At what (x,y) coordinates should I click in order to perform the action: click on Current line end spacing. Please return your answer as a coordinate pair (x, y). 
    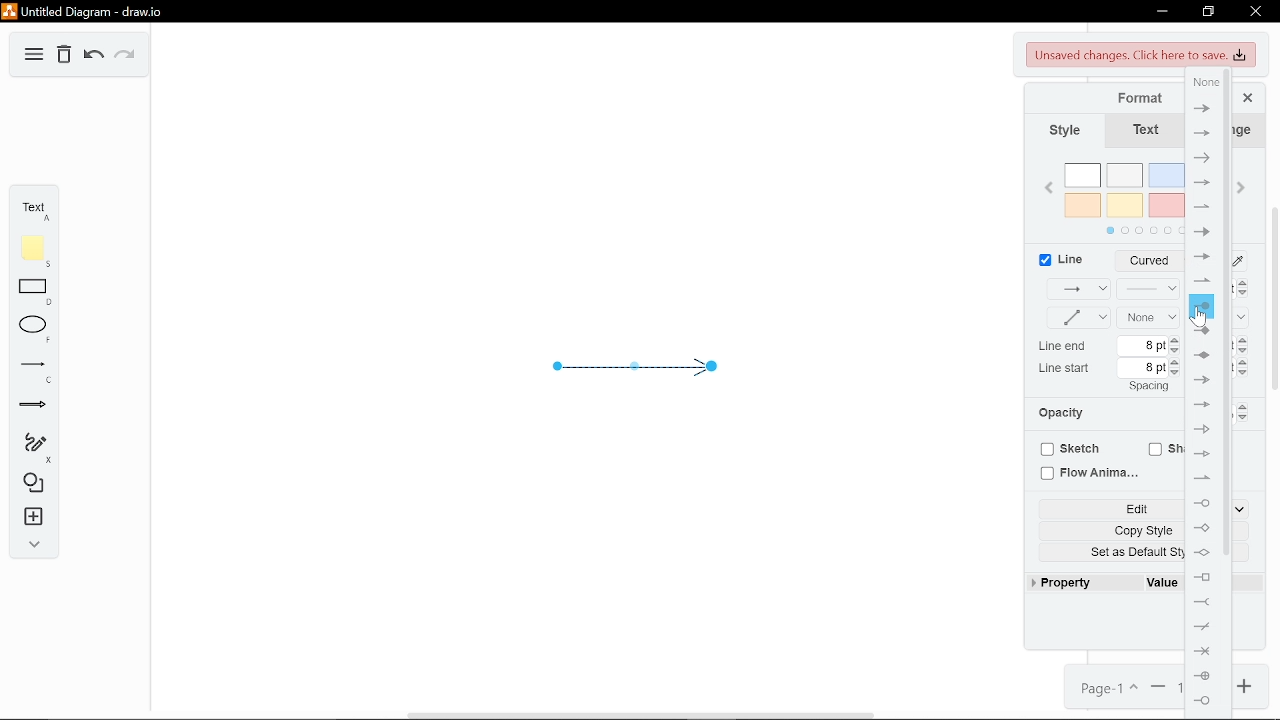
    Looking at the image, I should click on (1140, 346).